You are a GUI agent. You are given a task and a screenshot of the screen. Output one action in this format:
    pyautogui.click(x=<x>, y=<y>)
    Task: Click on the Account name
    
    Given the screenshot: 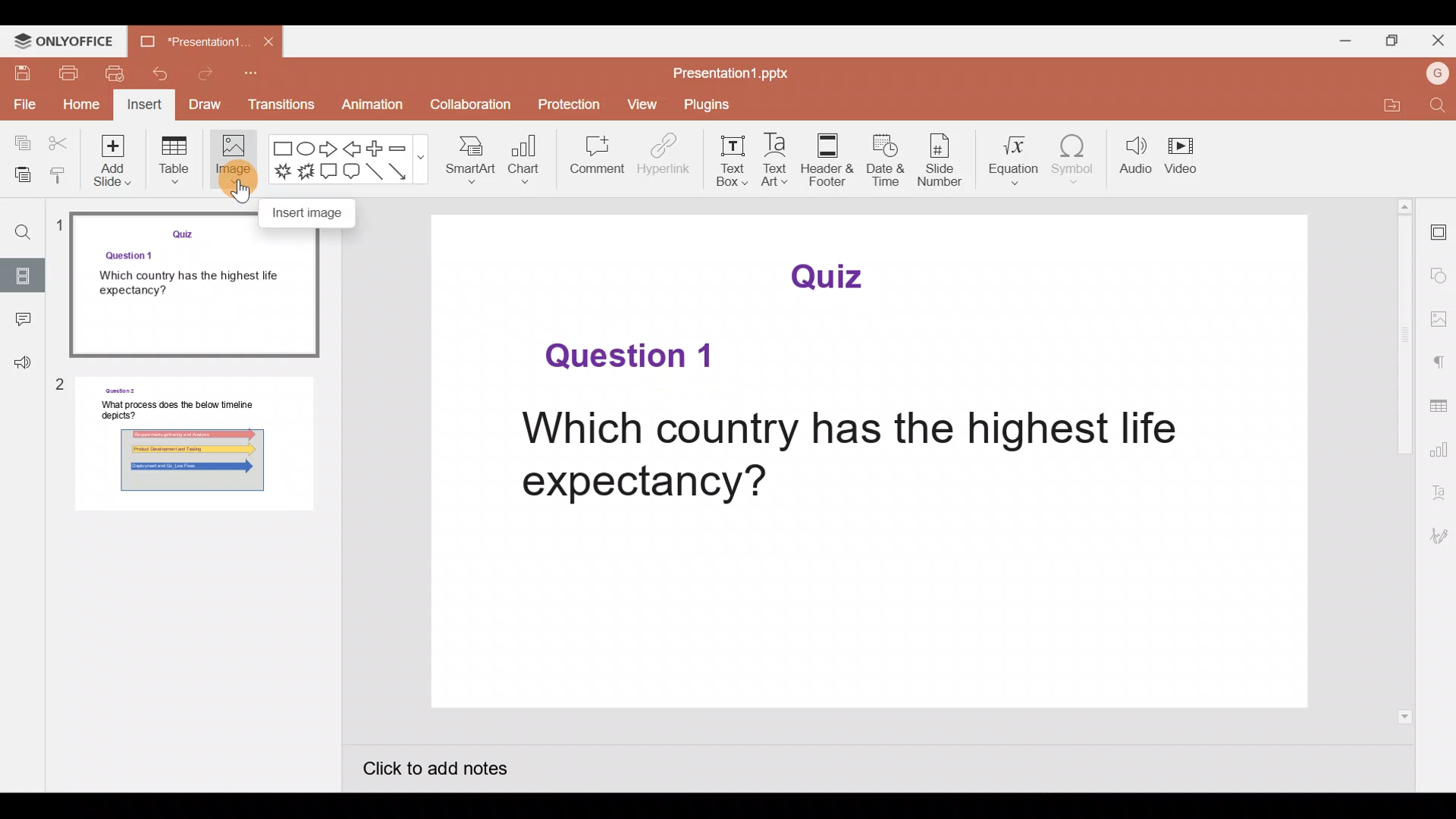 What is the action you would take?
    pyautogui.click(x=1434, y=74)
    